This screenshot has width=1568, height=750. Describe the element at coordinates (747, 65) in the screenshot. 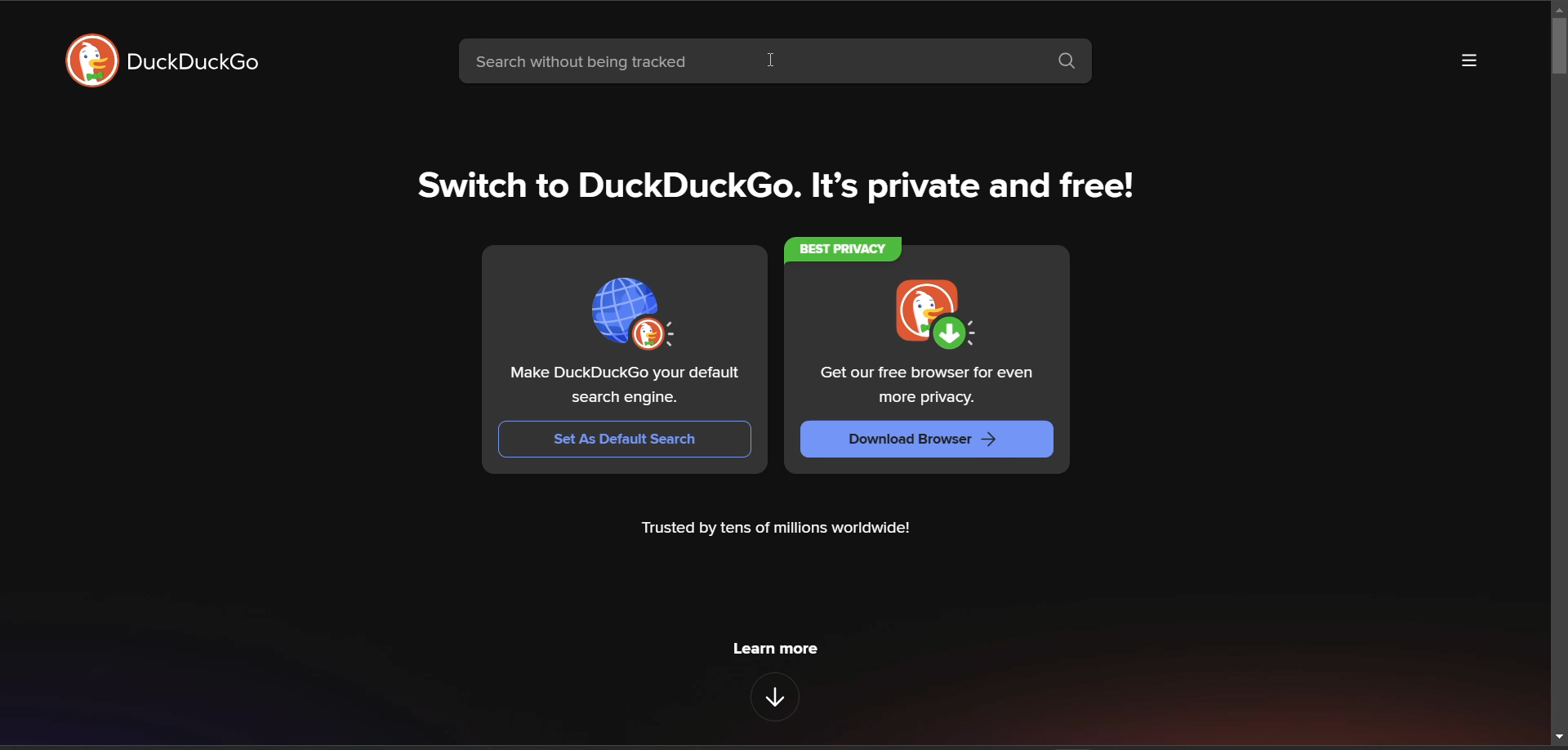

I see `Search without being tracked` at that location.